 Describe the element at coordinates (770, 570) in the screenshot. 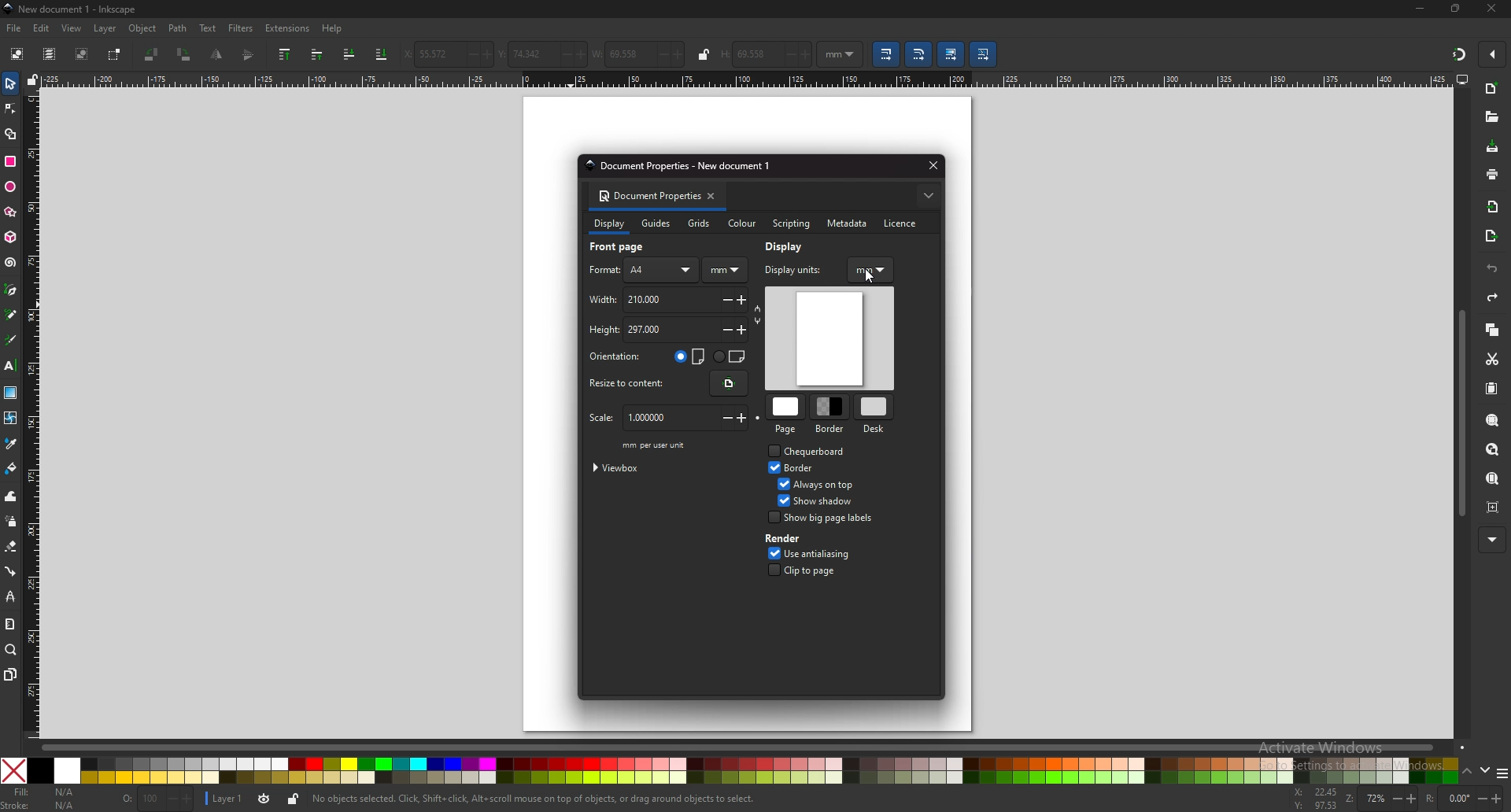

I see `Checkbox` at that location.